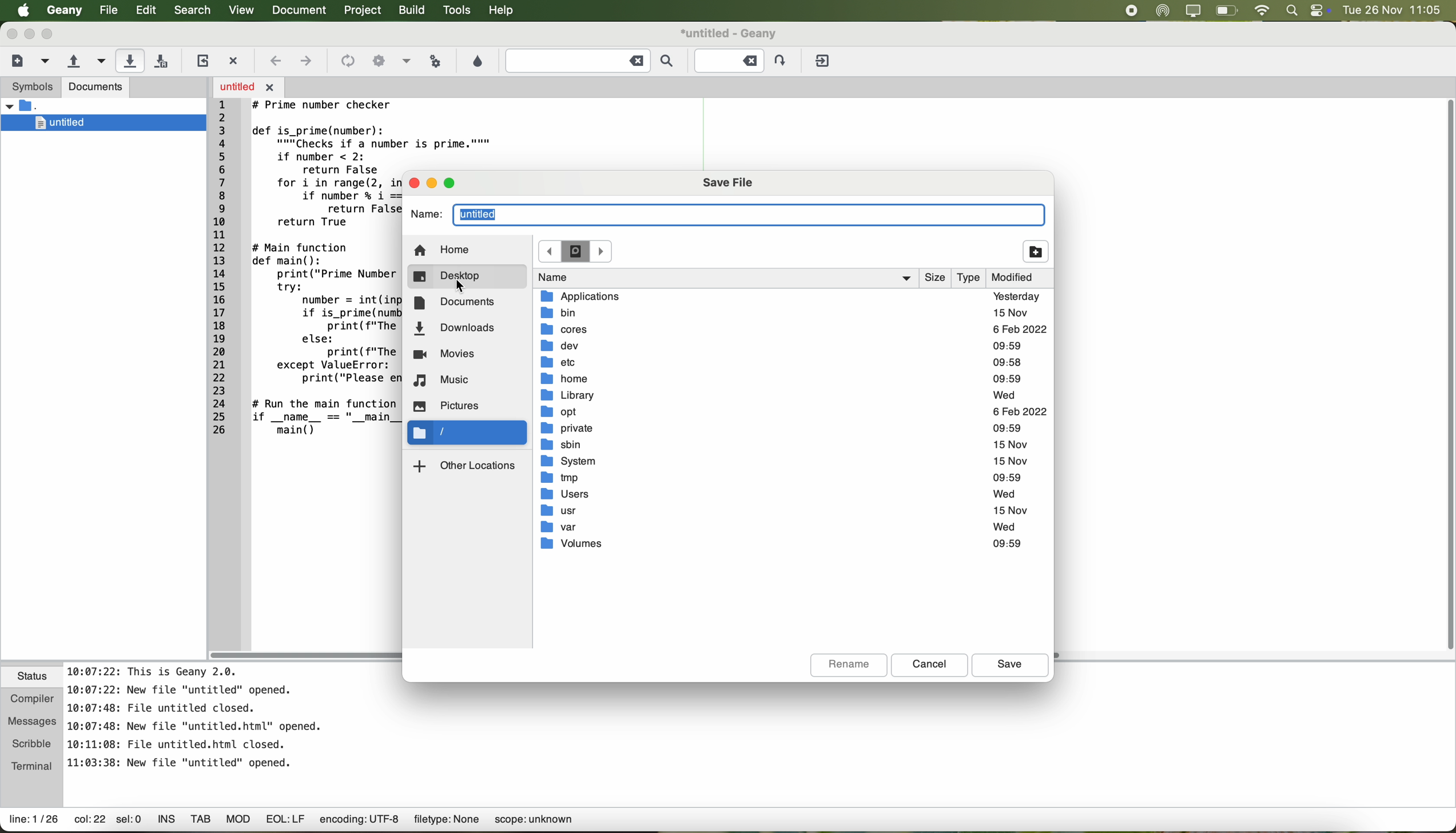  Describe the element at coordinates (849, 666) in the screenshot. I see `rename button` at that location.